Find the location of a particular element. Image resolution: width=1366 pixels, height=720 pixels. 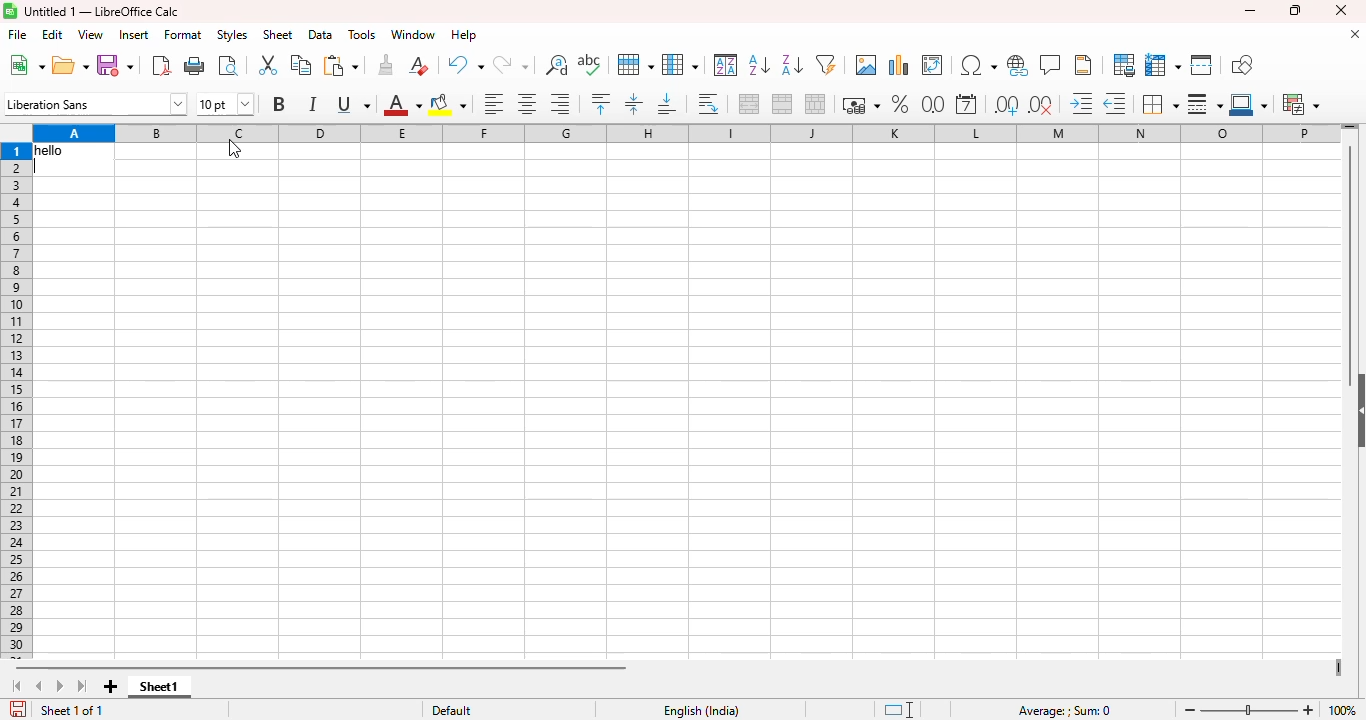

format as date is located at coordinates (966, 104).